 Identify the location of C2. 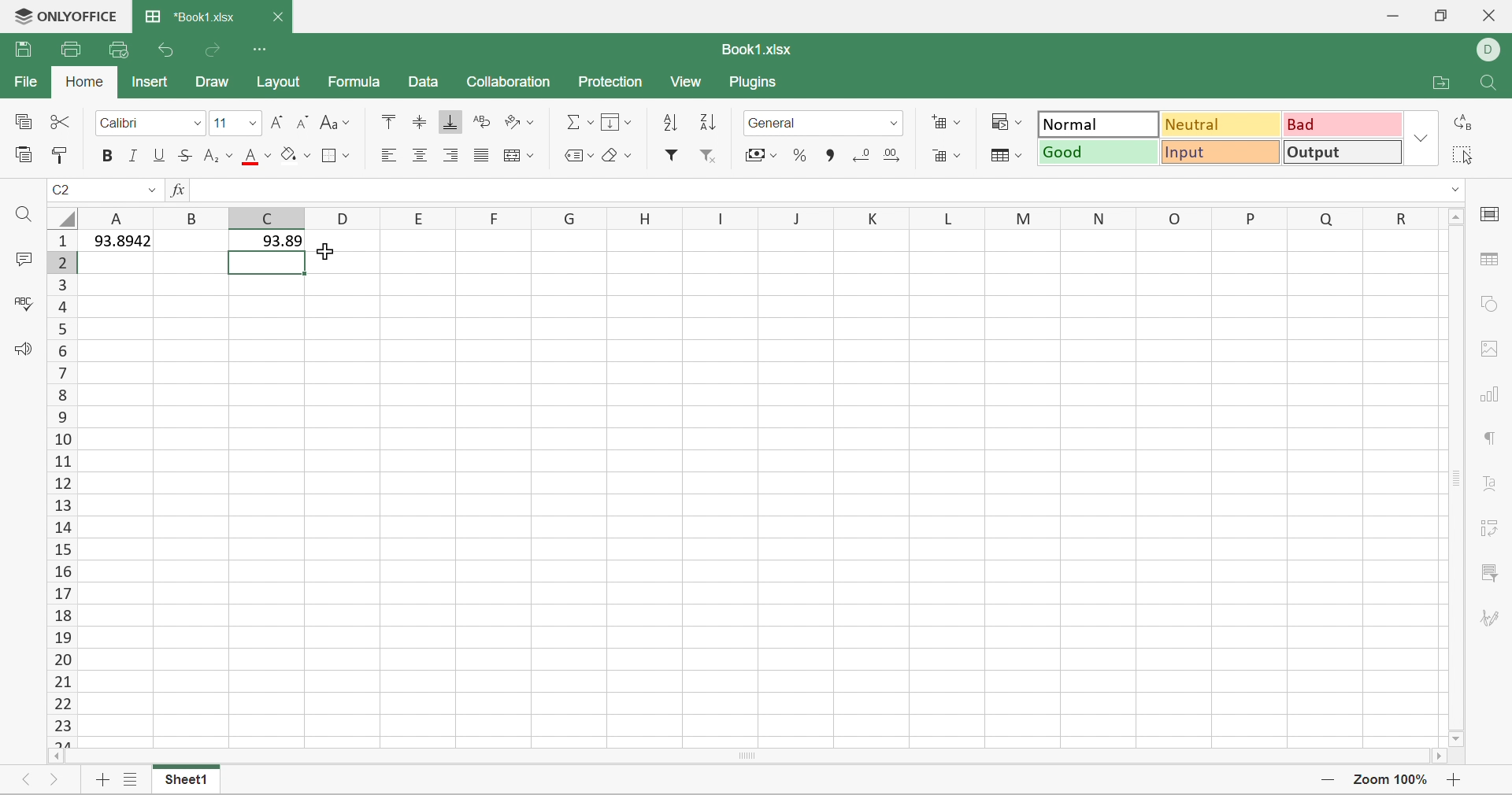
(61, 186).